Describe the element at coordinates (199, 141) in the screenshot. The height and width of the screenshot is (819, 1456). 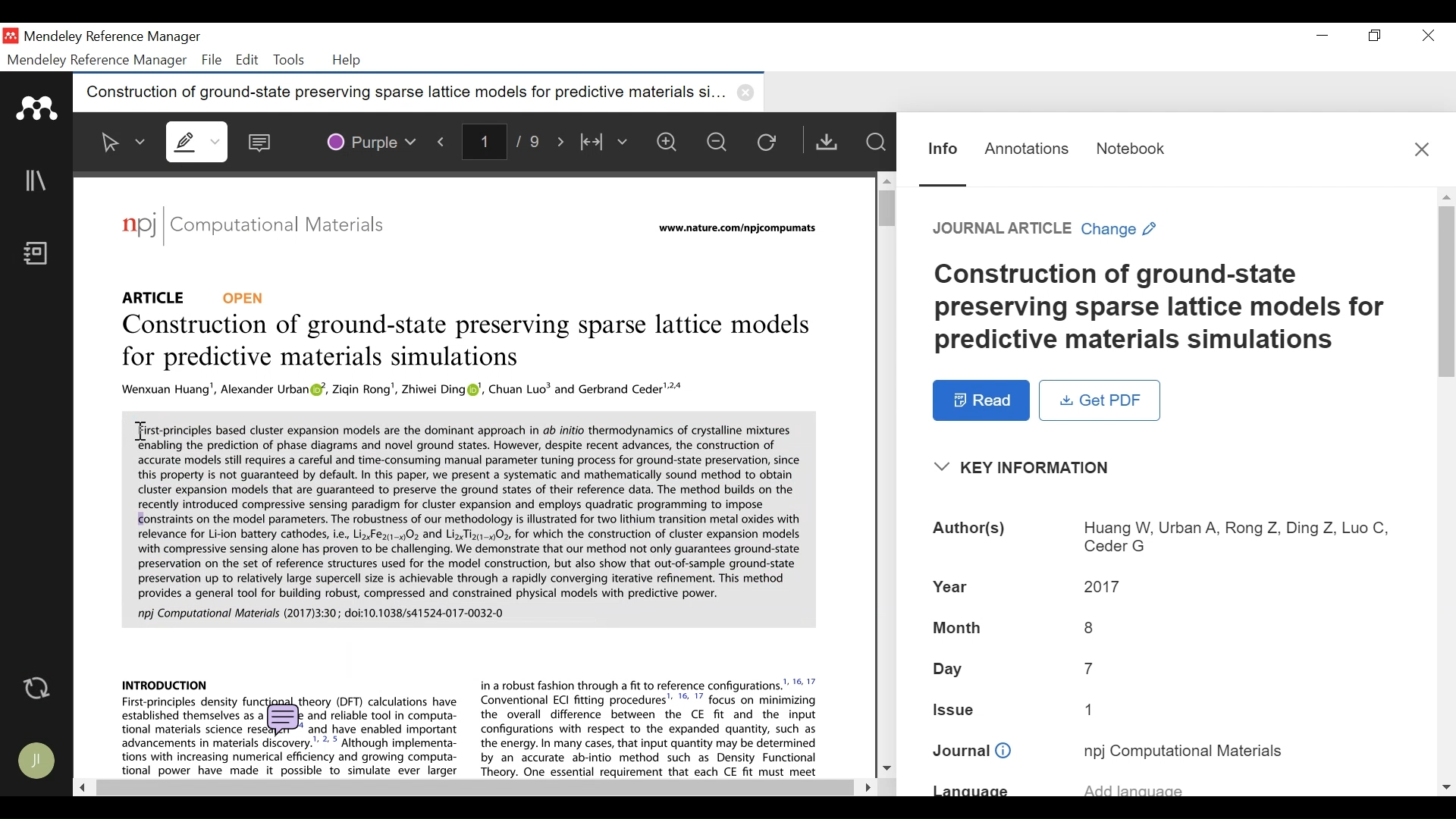
I see `Highlights` at that location.